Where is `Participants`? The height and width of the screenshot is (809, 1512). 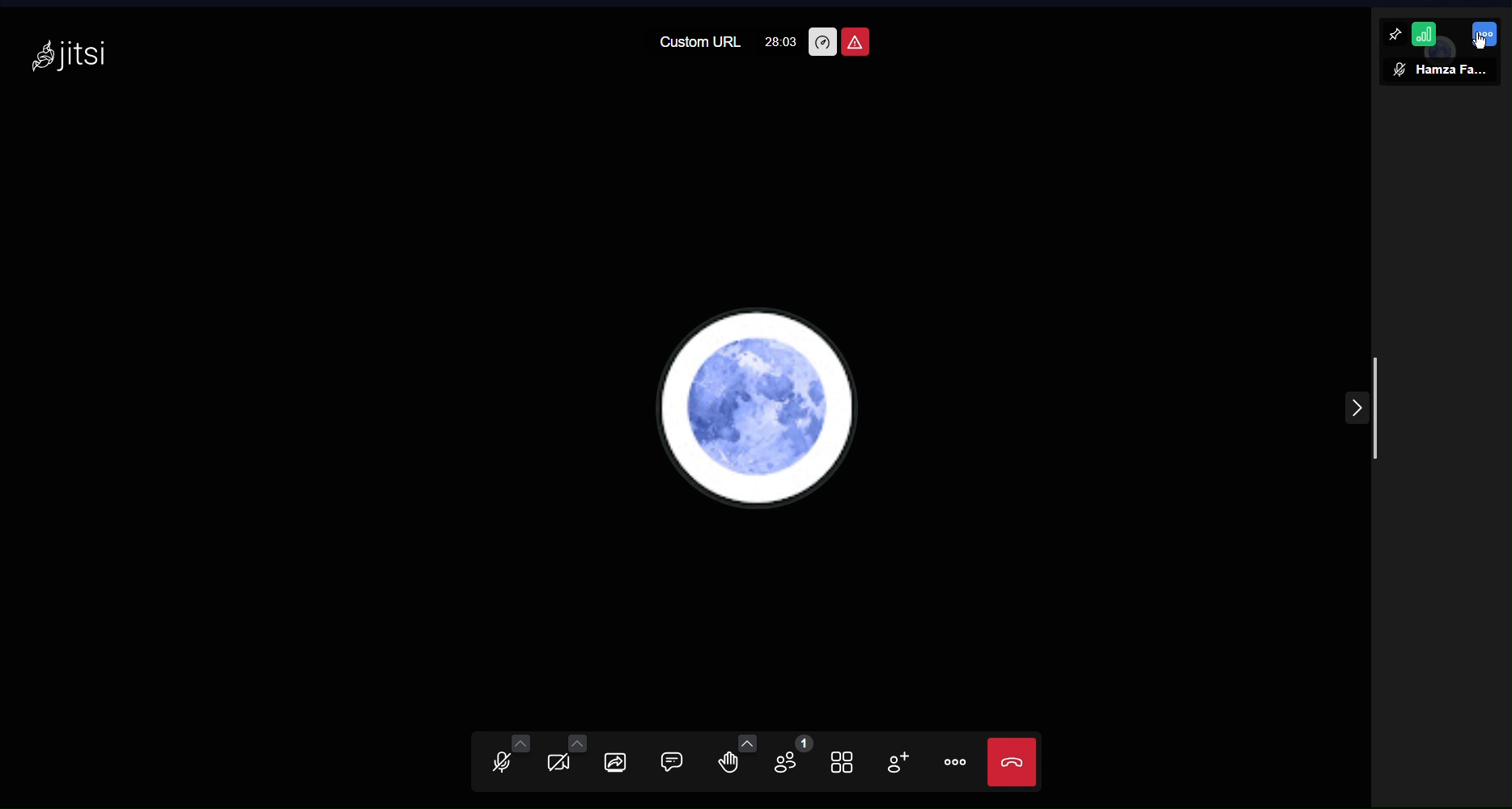 Participants is located at coordinates (792, 762).